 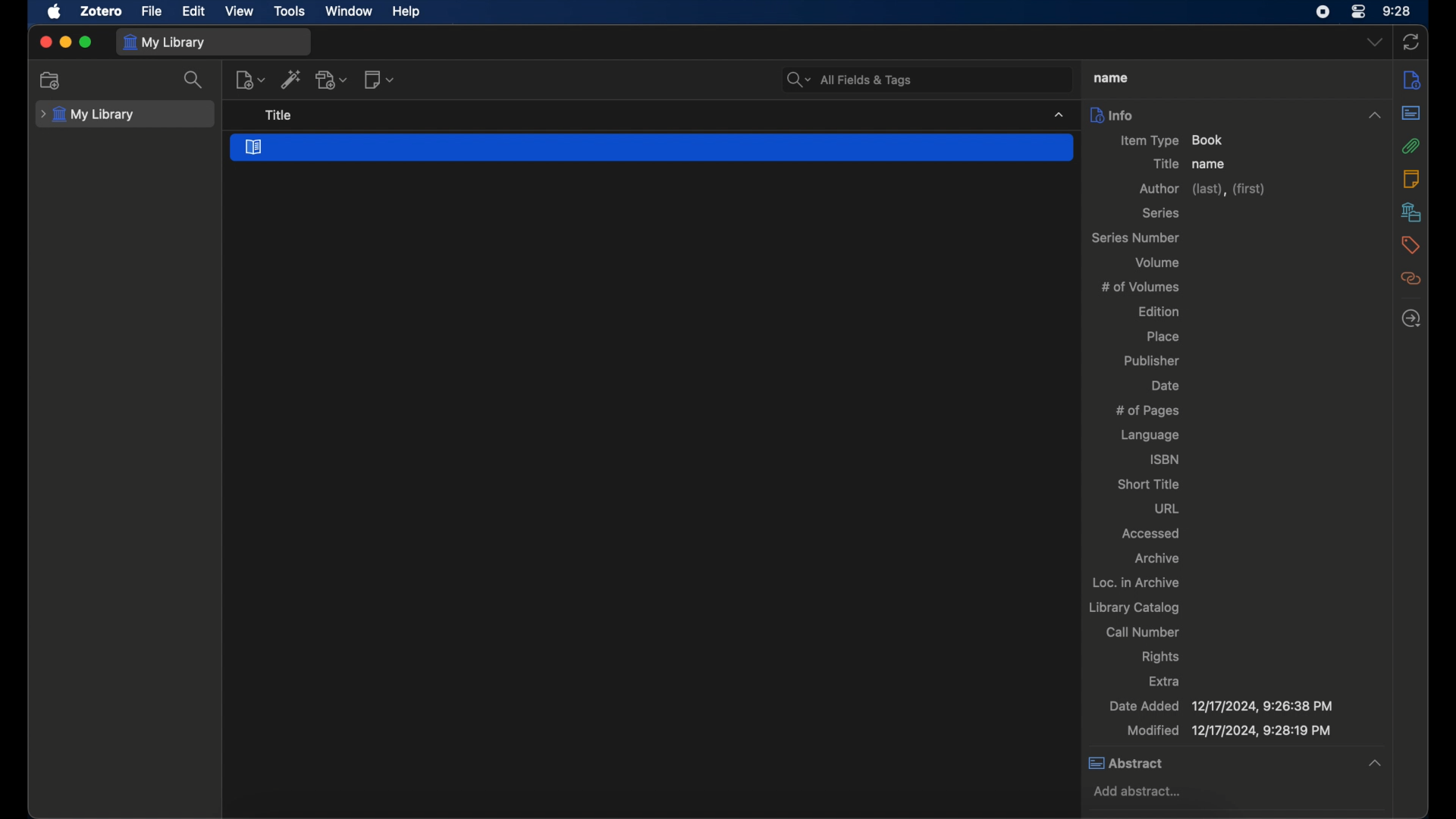 I want to click on tags, so click(x=1410, y=245).